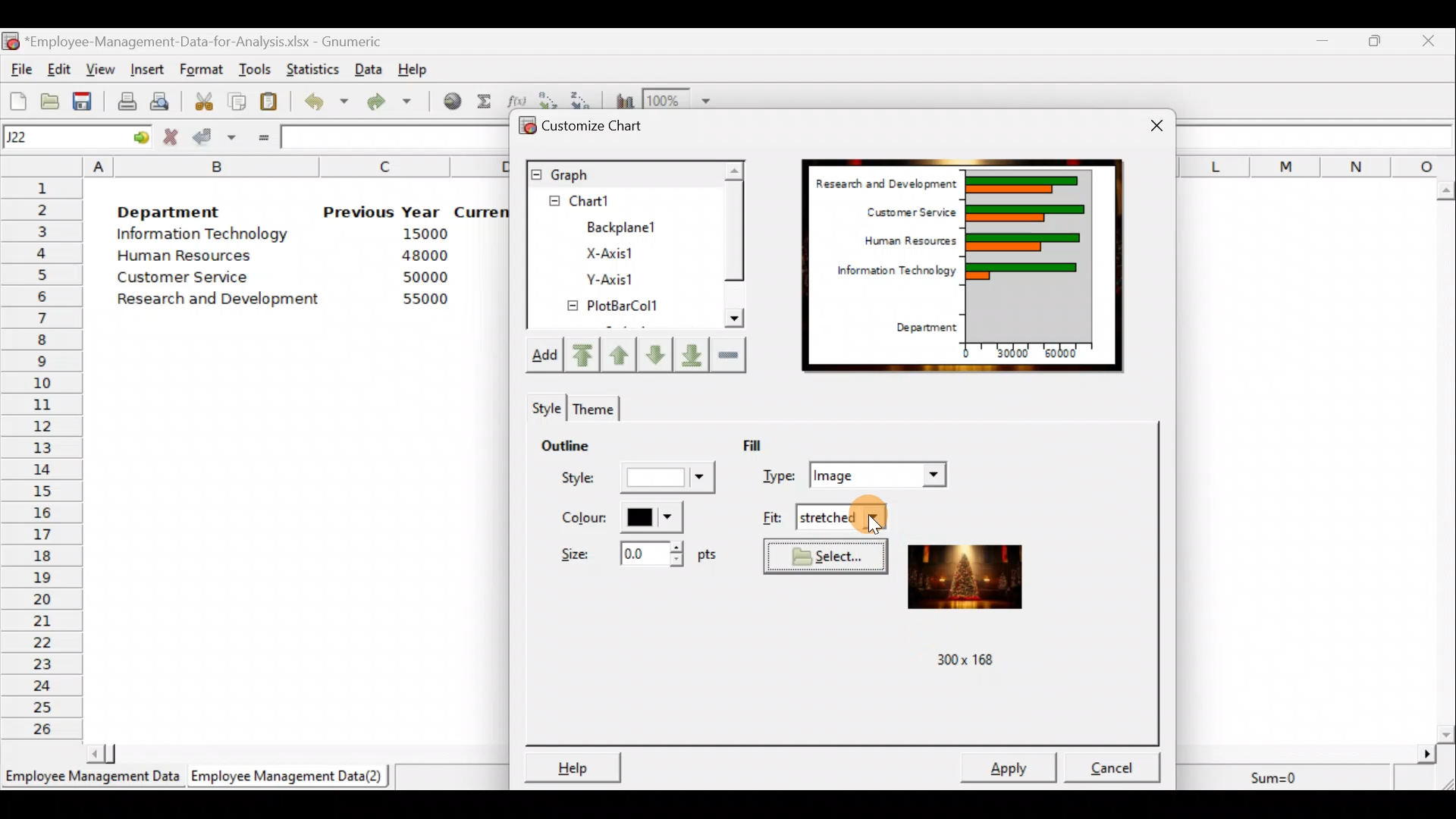 The image size is (1456, 819). Describe the element at coordinates (965, 662) in the screenshot. I see `300x 168` at that location.